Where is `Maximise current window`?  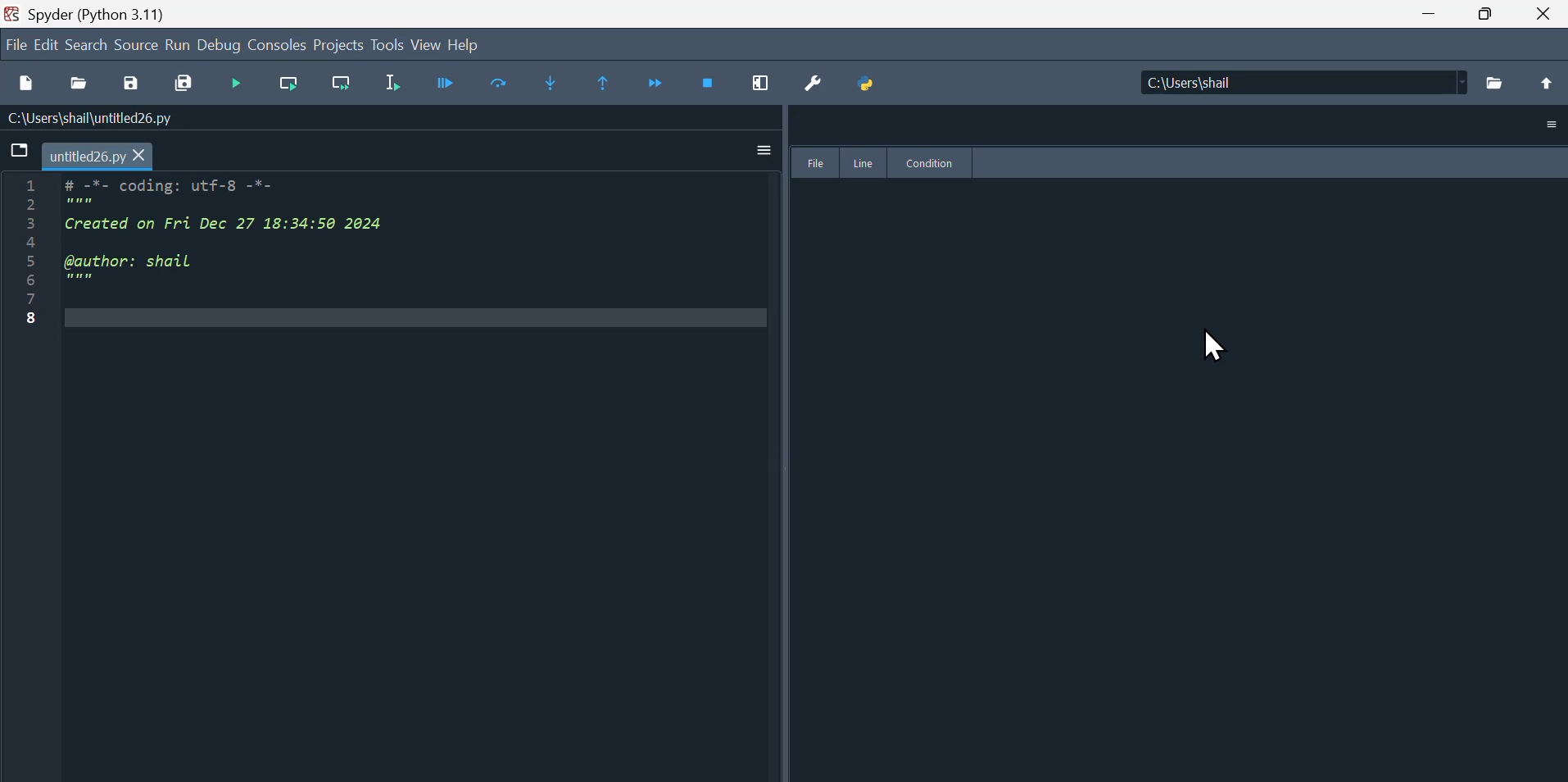
Maximise current window is located at coordinates (769, 84).